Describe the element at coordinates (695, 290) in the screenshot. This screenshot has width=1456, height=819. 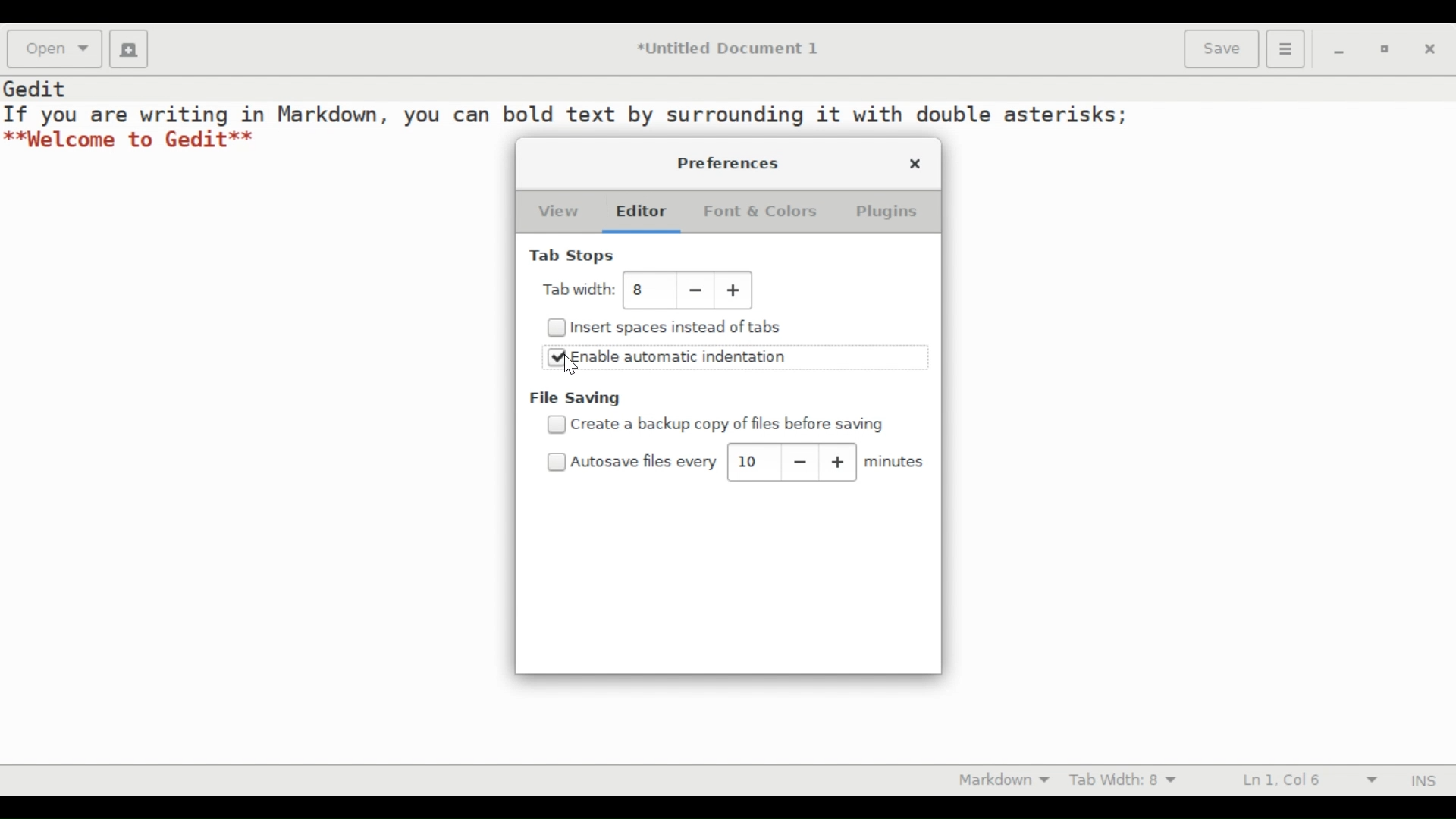
I see `Decrease tab width value` at that location.